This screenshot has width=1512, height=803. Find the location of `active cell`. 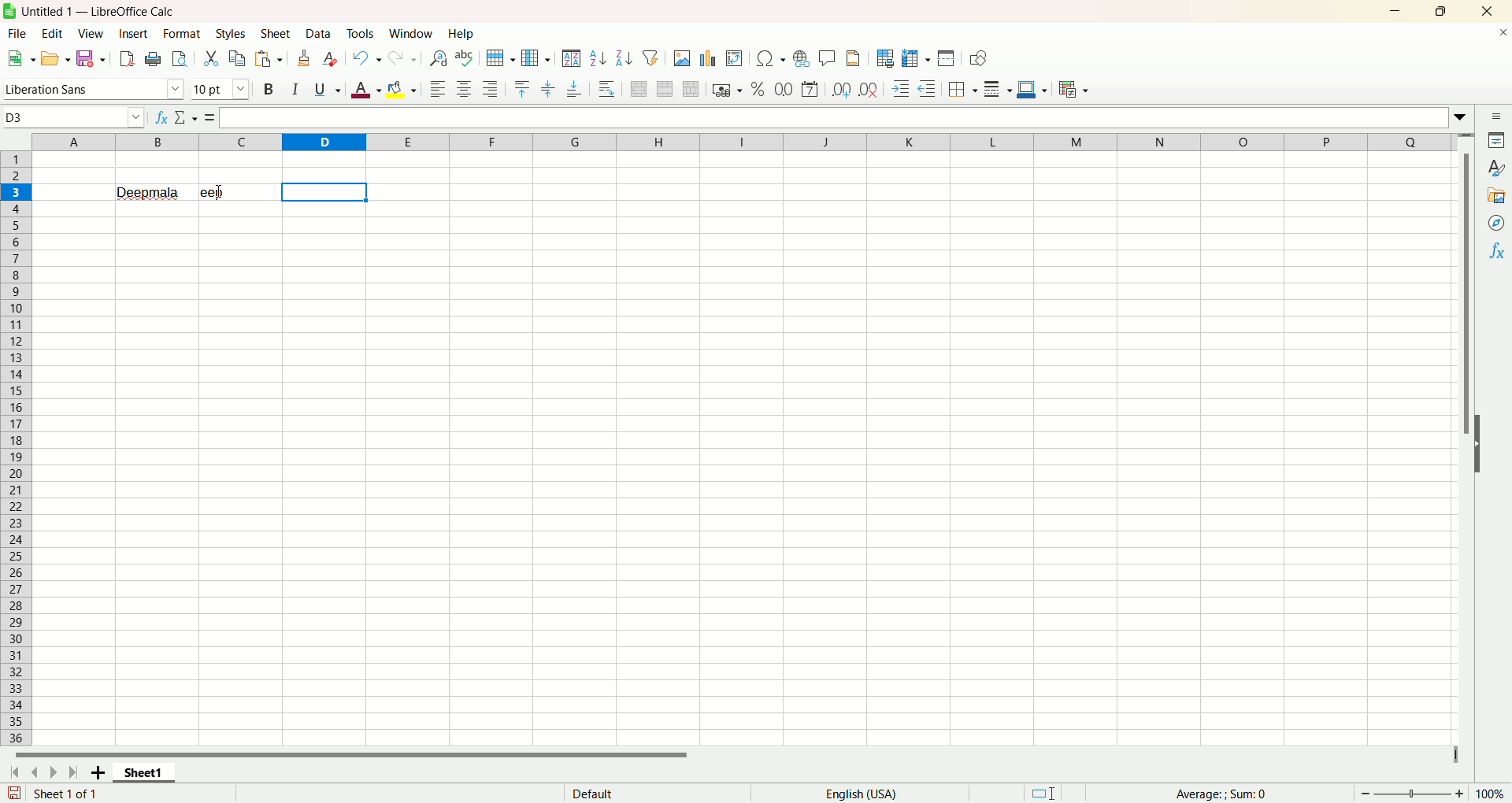

active cell is located at coordinates (325, 193).